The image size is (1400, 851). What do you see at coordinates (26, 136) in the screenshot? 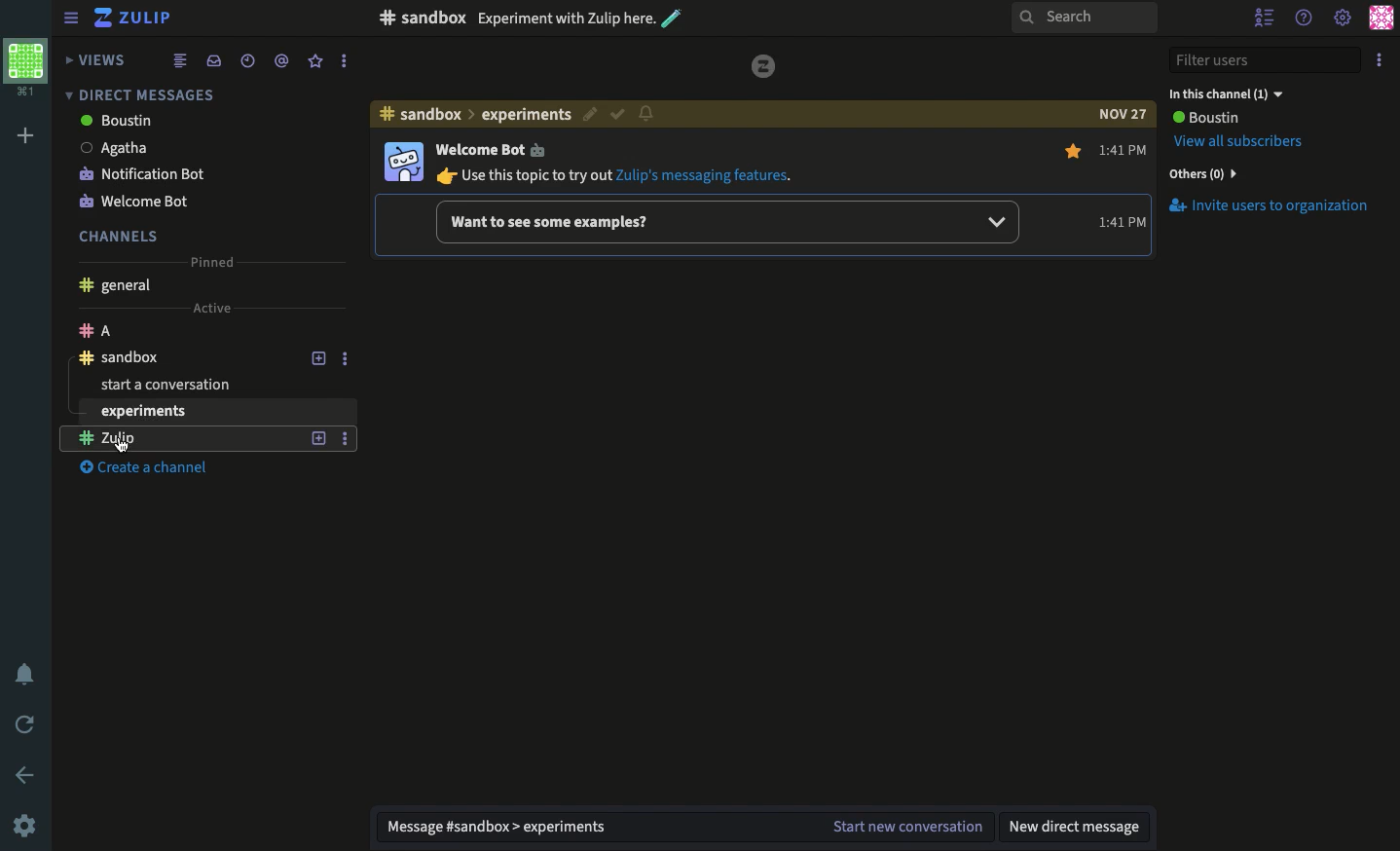
I see `Add` at bounding box center [26, 136].